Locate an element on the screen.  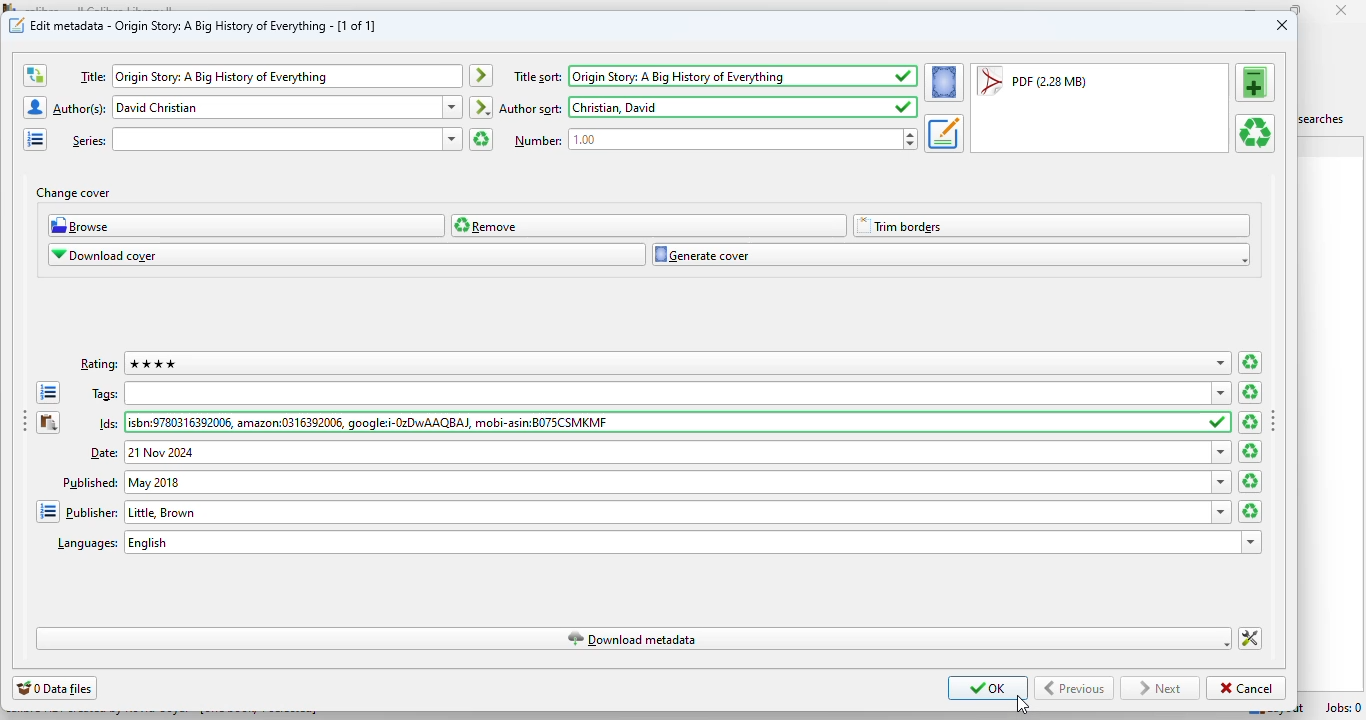
data files is located at coordinates (55, 688).